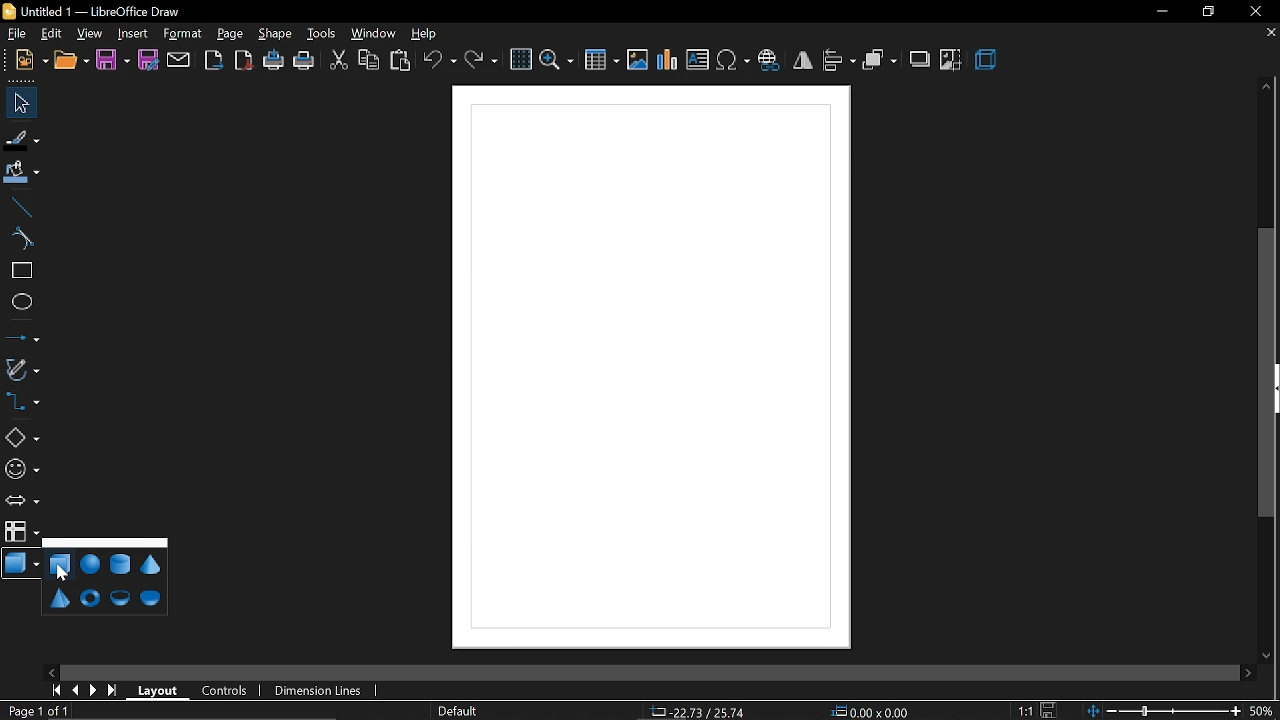 The width and height of the screenshot is (1280, 720). Describe the element at coordinates (426, 33) in the screenshot. I see `help` at that location.